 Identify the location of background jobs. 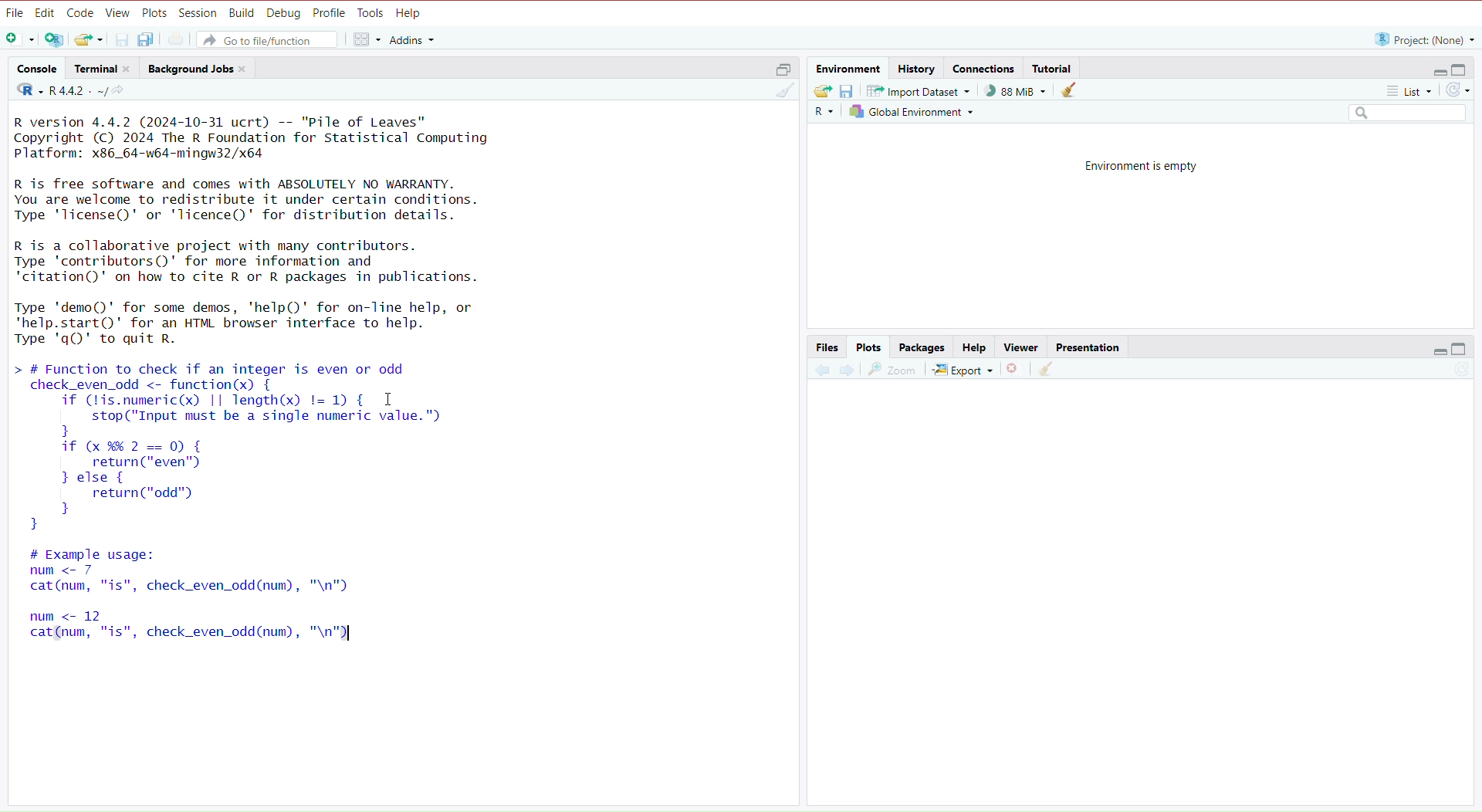
(200, 70).